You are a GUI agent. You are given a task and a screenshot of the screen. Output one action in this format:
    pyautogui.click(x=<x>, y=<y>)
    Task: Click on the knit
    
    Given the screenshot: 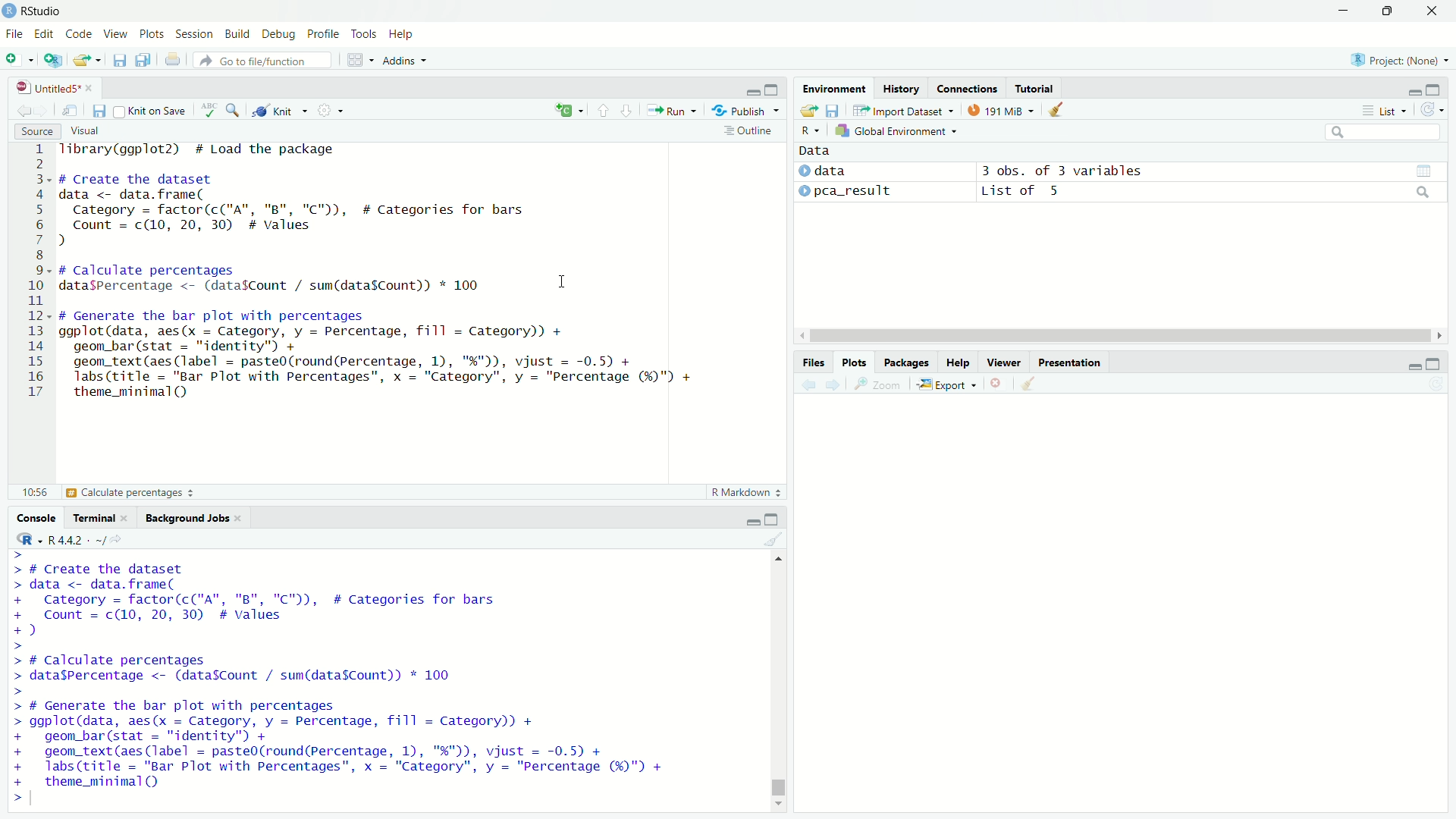 What is the action you would take?
    pyautogui.click(x=278, y=110)
    